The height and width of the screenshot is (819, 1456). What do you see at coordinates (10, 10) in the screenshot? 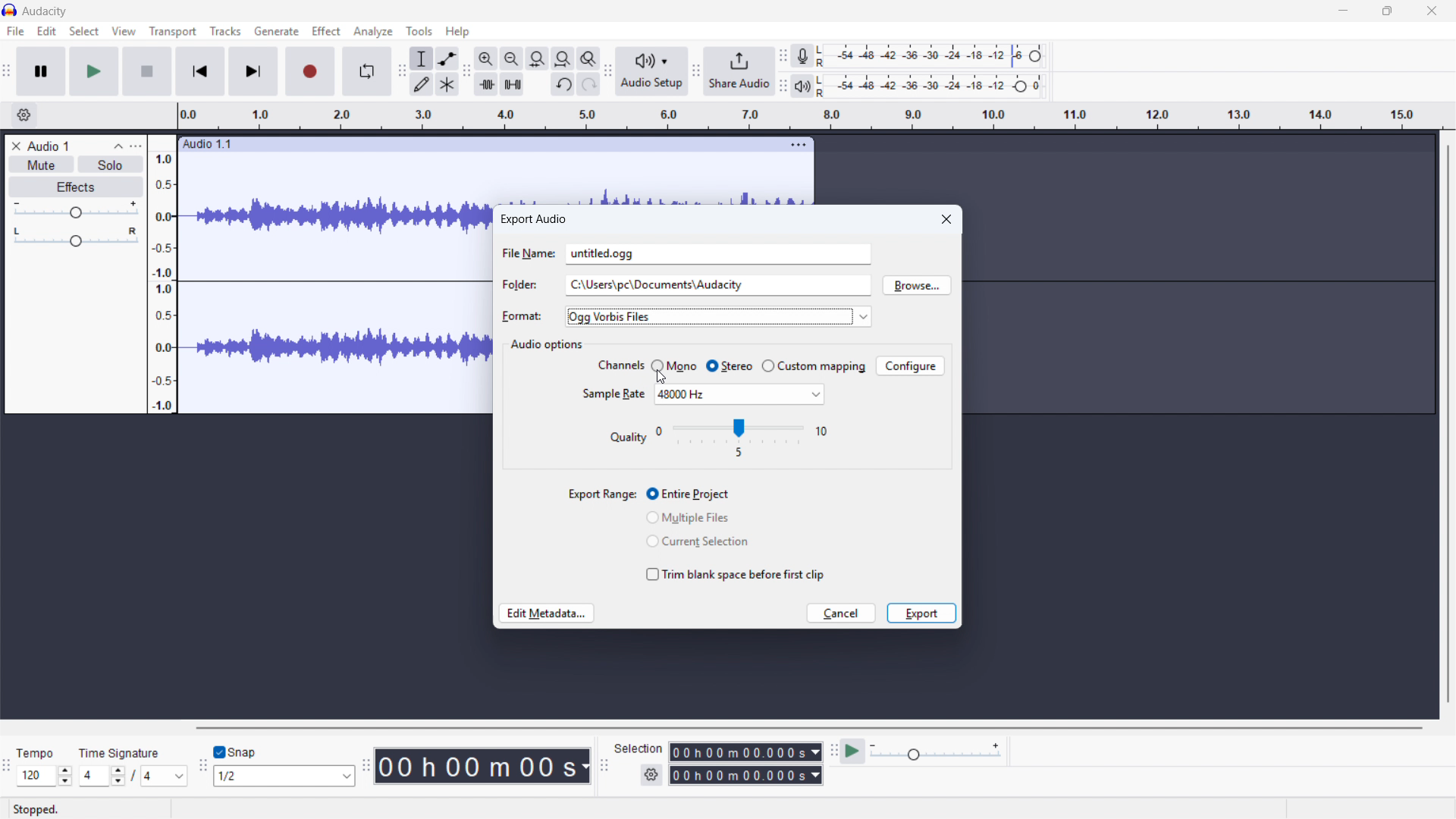
I see `Logo ` at bounding box center [10, 10].